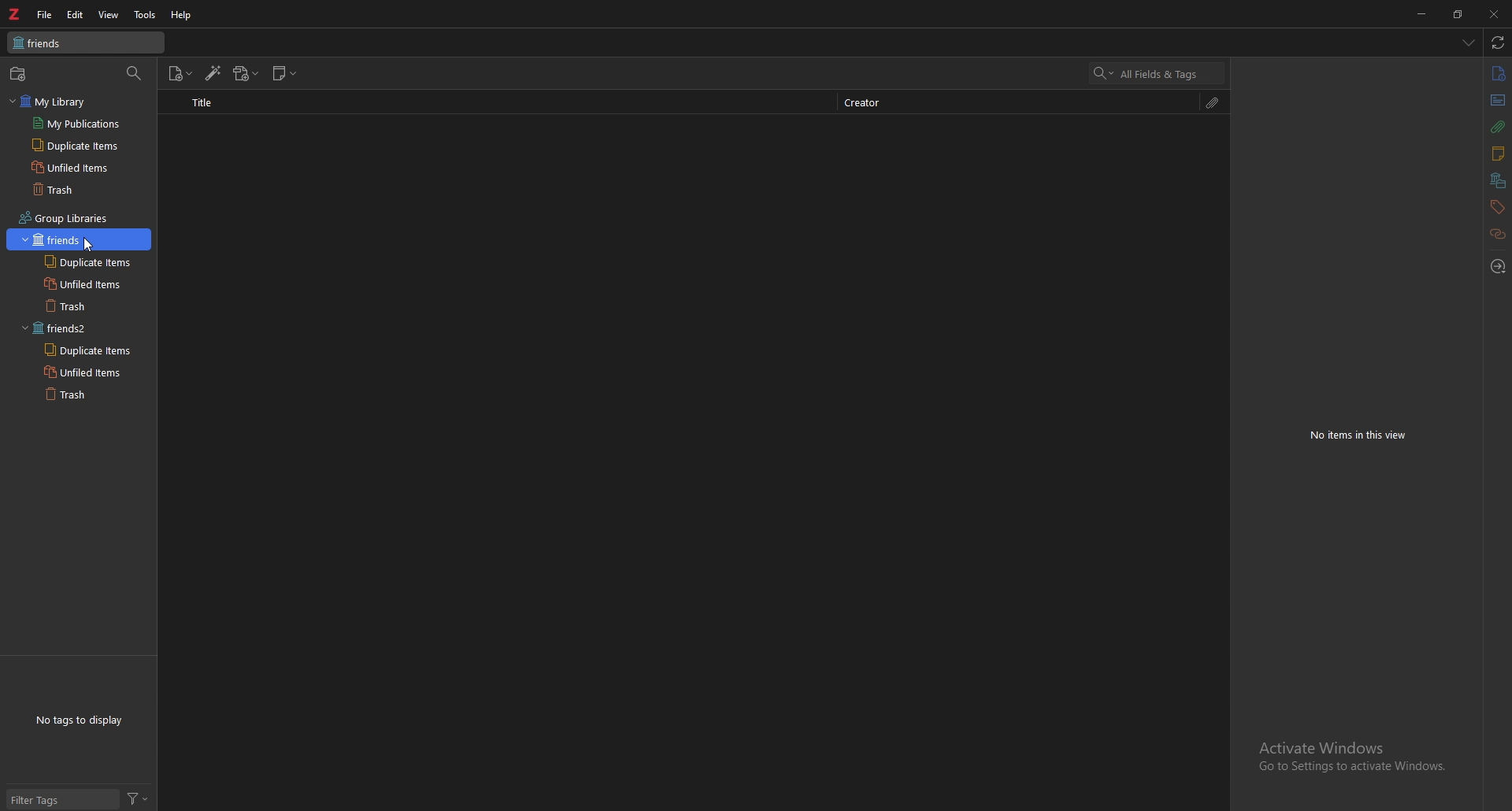  What do you see at coordinates (1498, 265) in the screenshot?
I see `locate` at bounding box center [1498, 265].